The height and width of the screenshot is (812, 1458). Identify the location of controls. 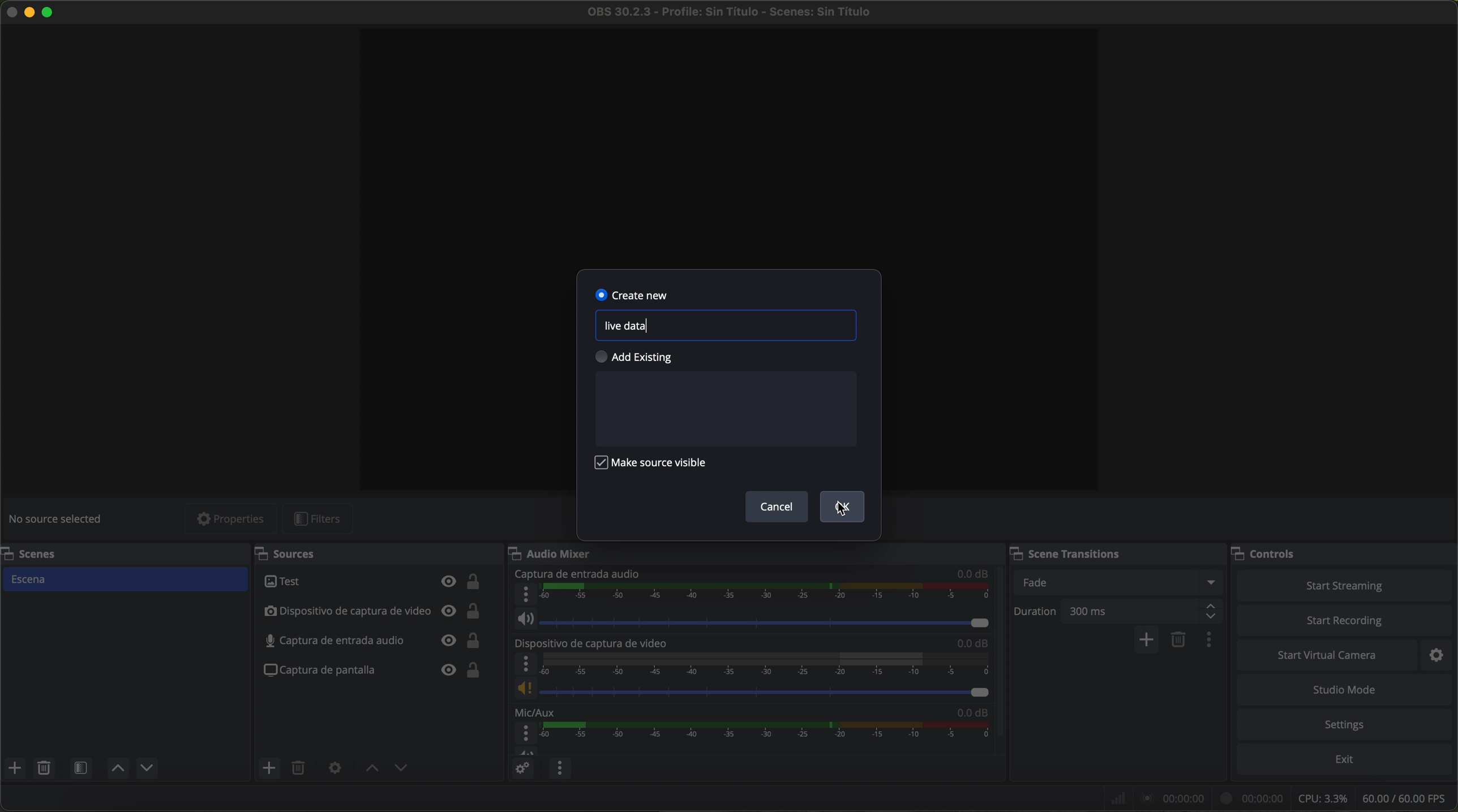
(1268, 552).